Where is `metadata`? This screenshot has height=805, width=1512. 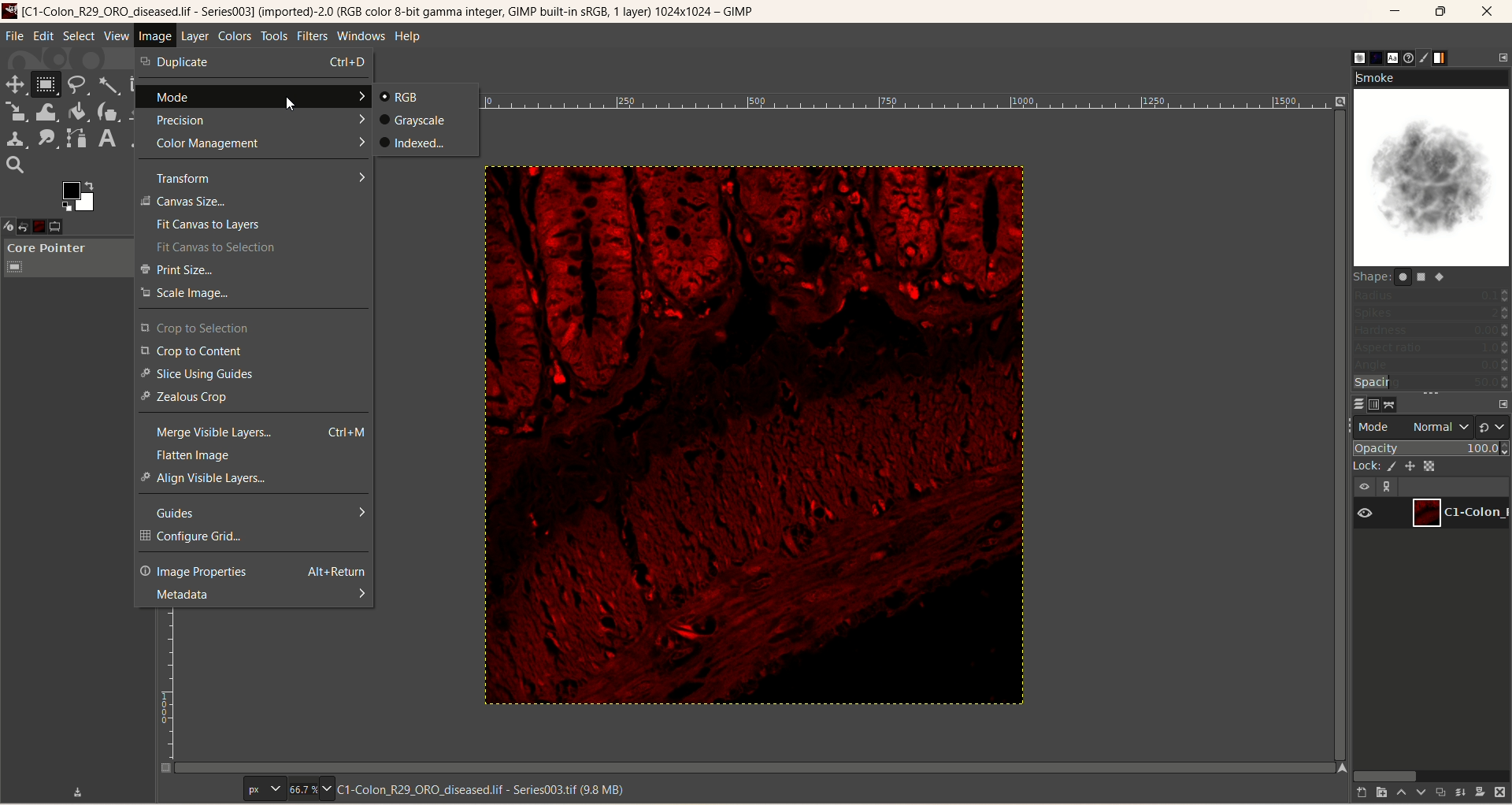 metadata is located at coordinates (255, 595).